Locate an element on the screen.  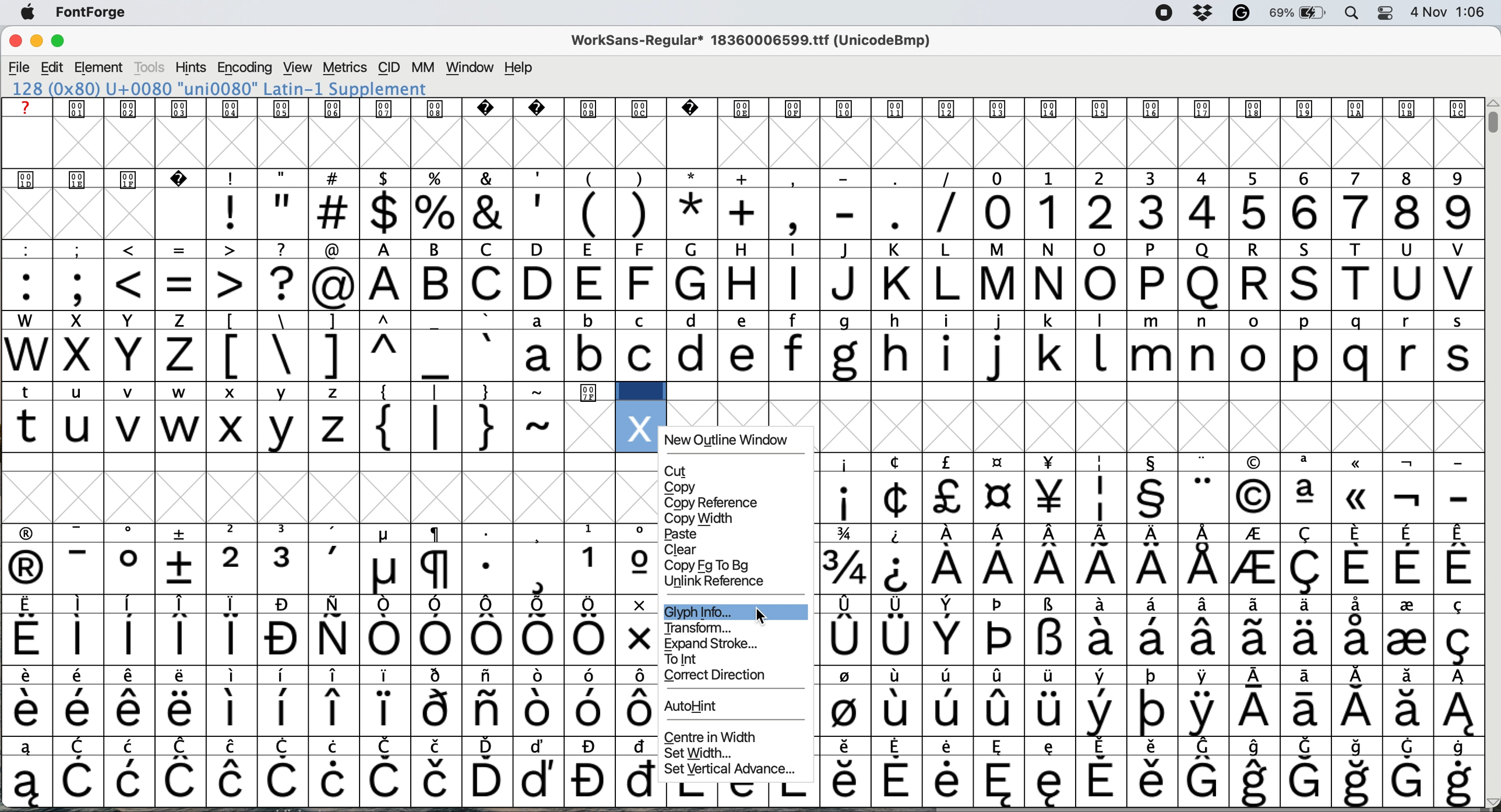
copy is located at coordinates (696, 486).